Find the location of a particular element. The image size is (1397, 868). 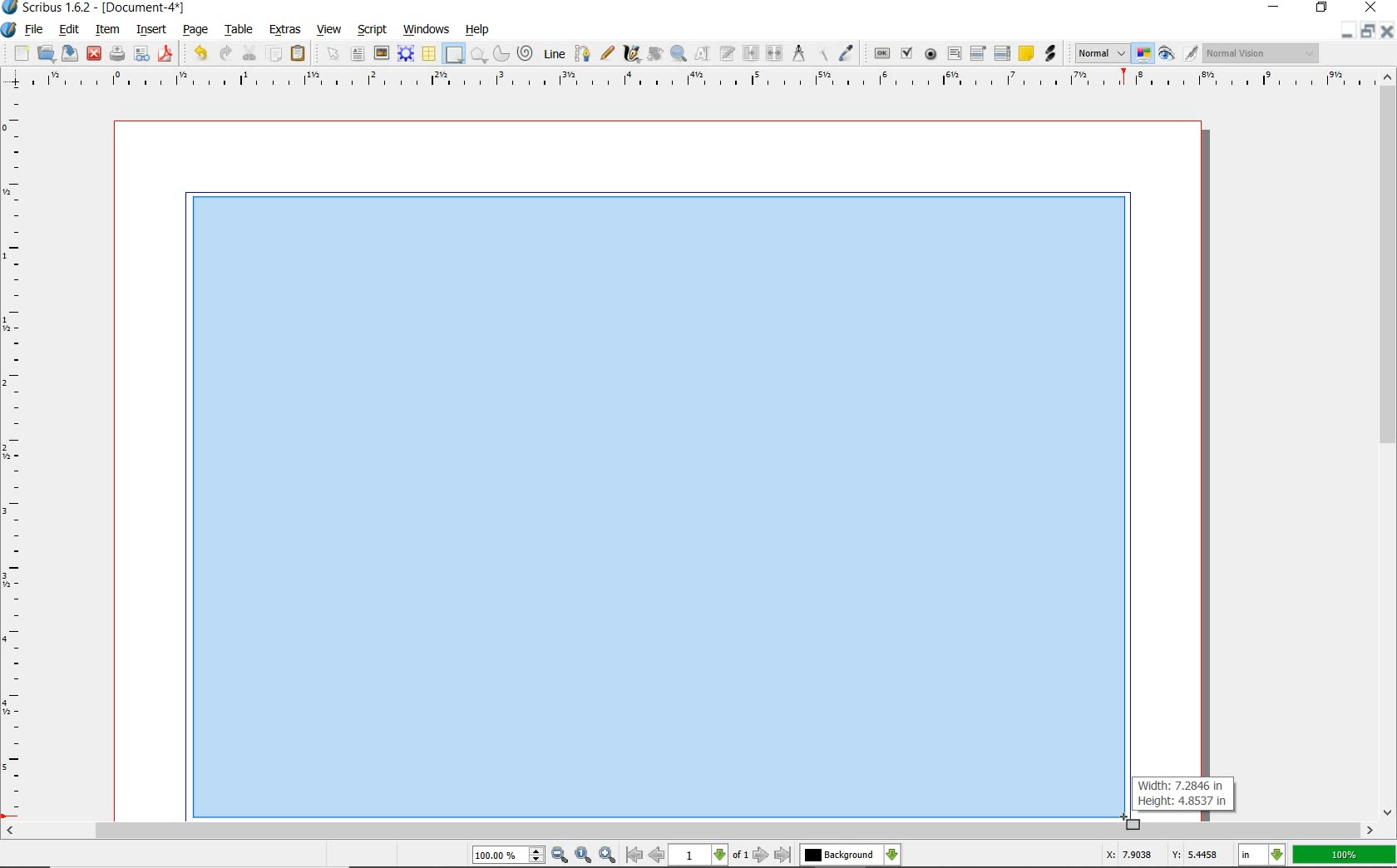

Scribus 1.6.2 - [Document-4*] is located at coordinates (96, 8).